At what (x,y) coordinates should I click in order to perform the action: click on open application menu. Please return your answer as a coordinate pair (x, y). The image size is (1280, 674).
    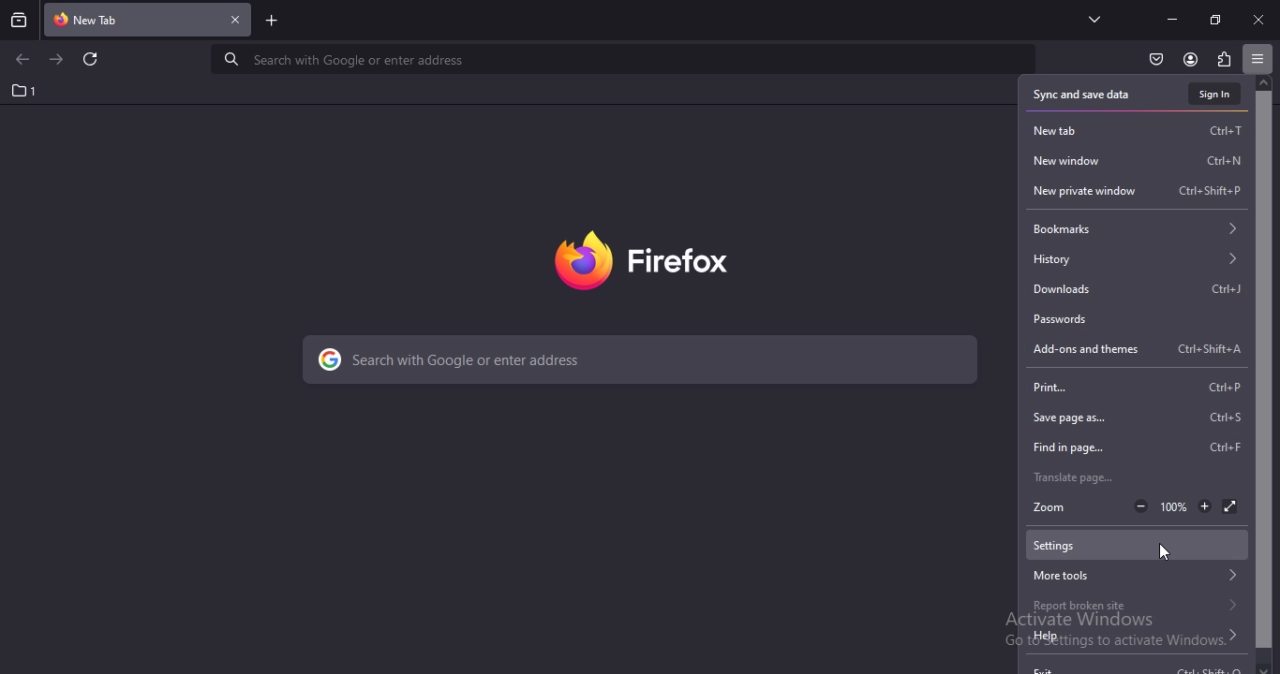
    Looking at the image, I should click on (1258, 58).